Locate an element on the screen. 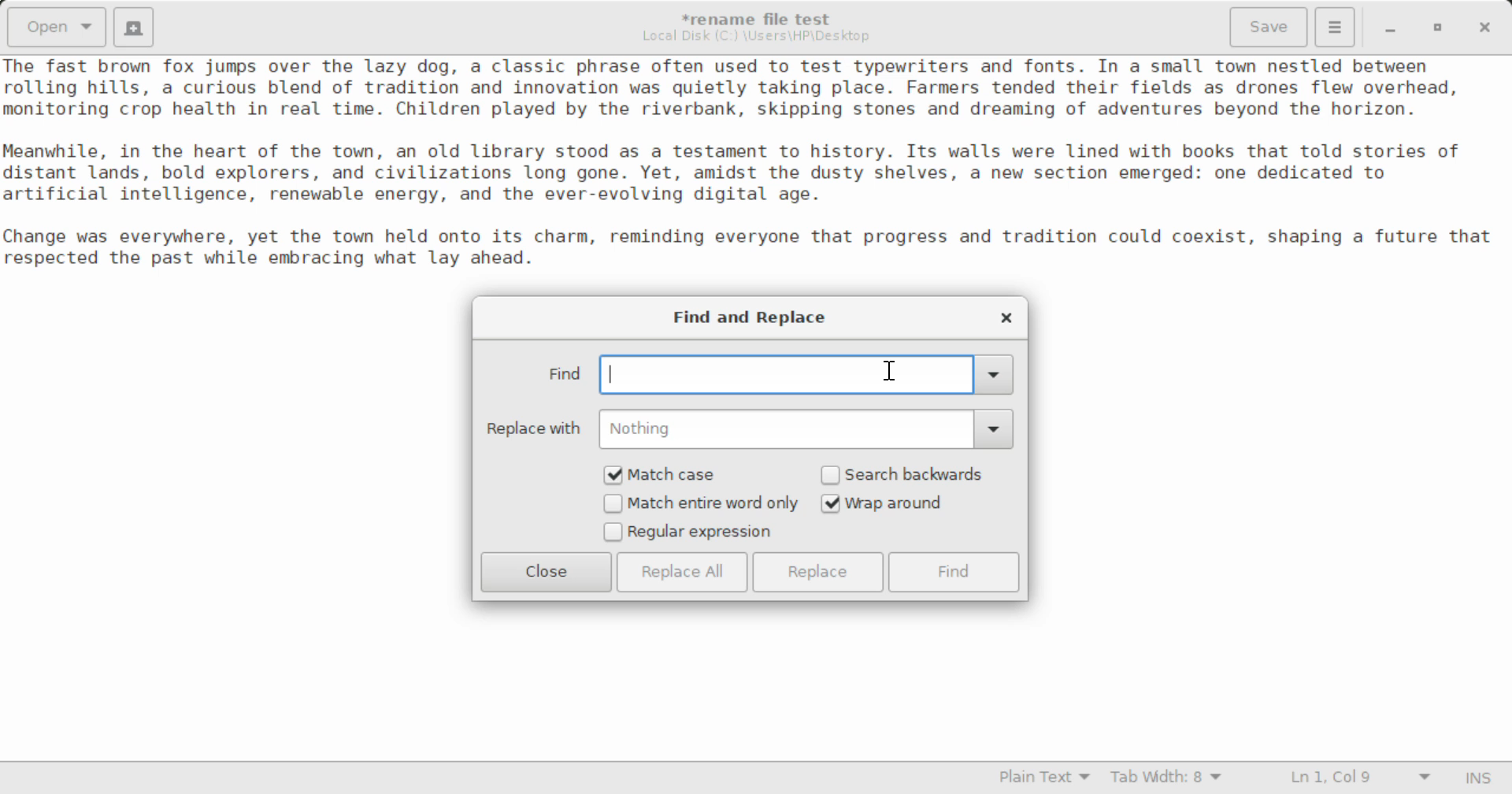  More Options Menu is located at coordinates (1336, 28).